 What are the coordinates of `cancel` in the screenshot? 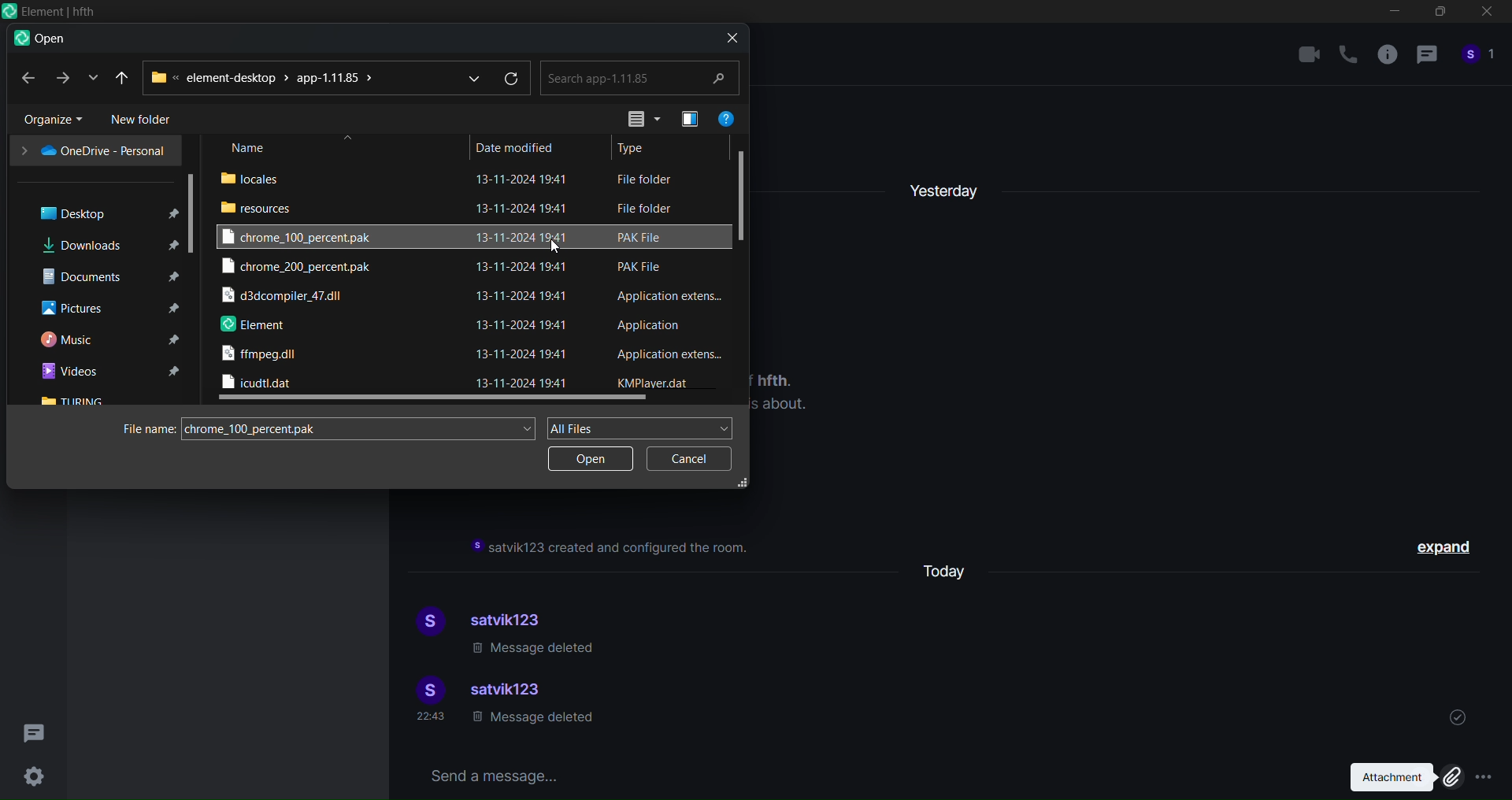 It's located at (684, 458).